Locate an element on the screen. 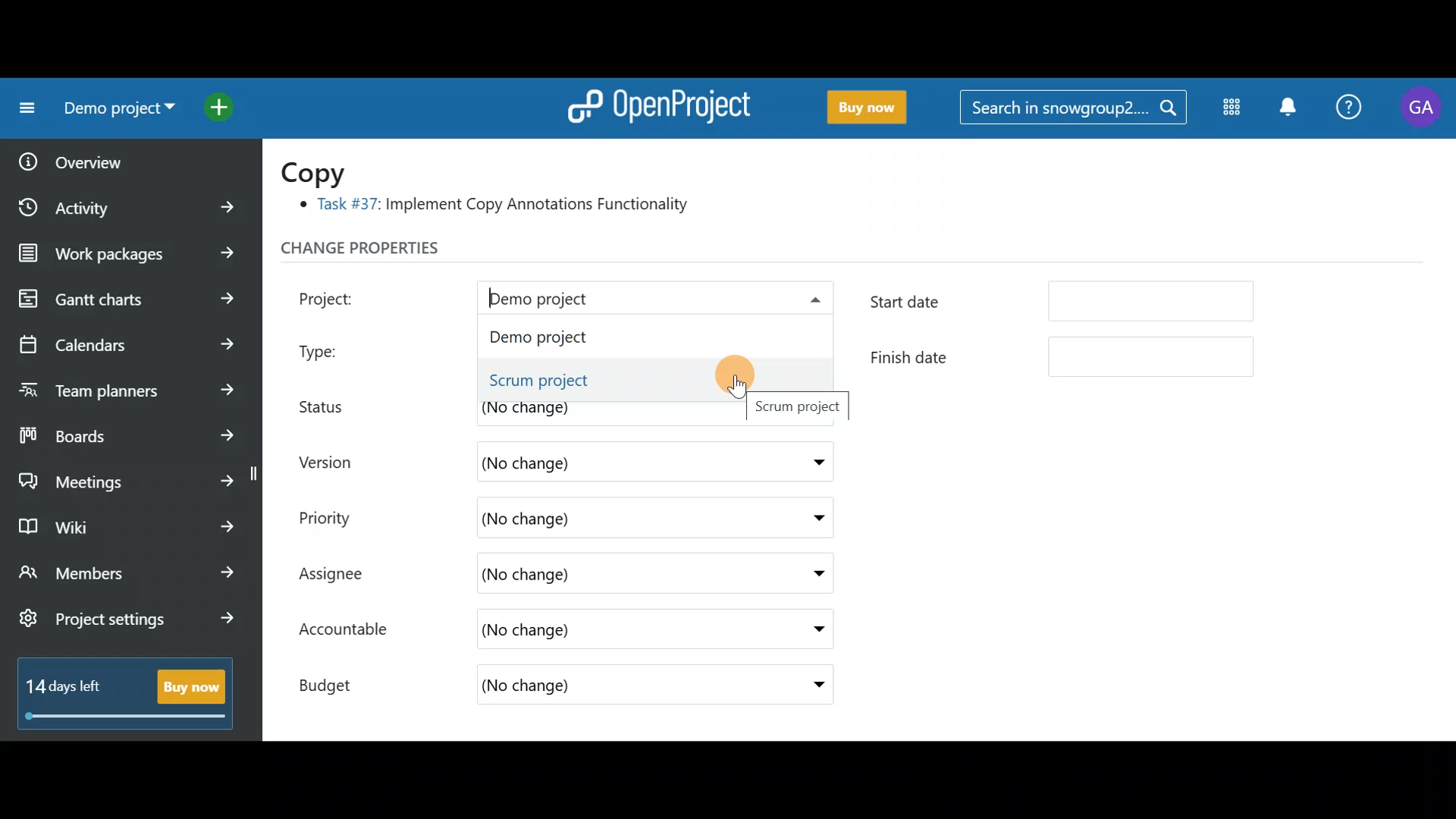  Assignee drop down is located at coordinates (806, 574).